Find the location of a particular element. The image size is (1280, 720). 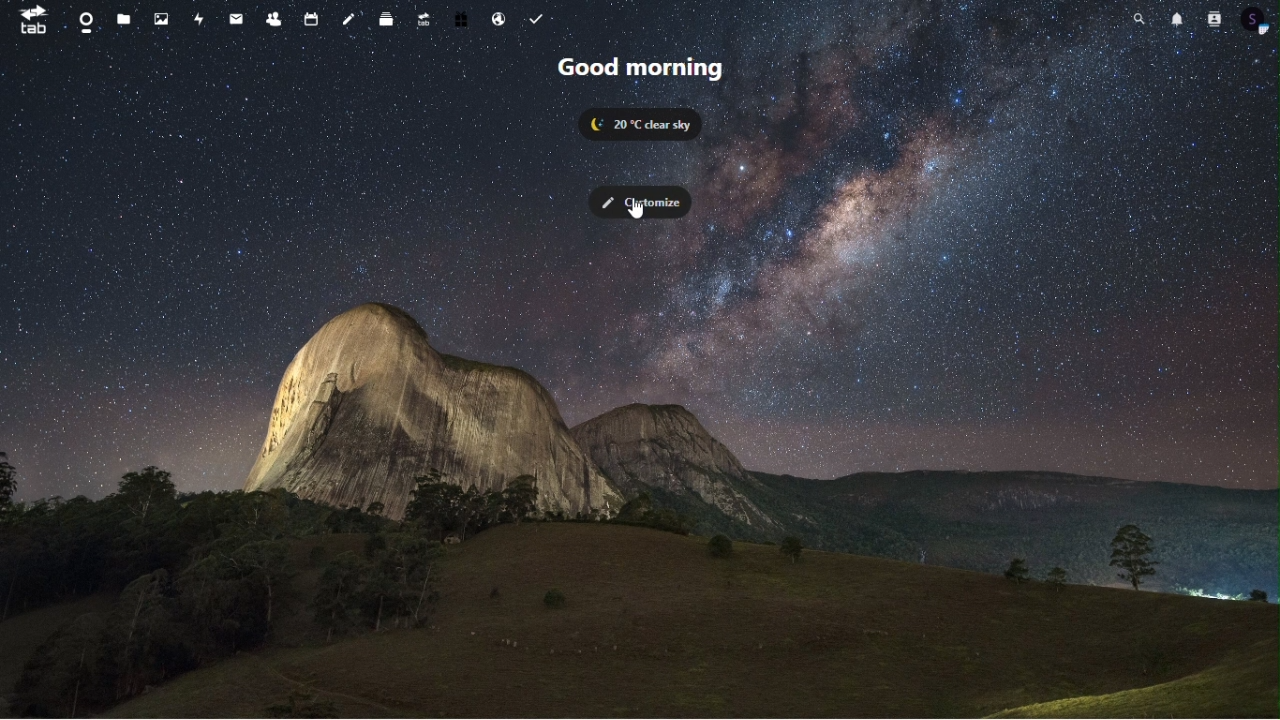

calender is located at coordinates (313, 21).